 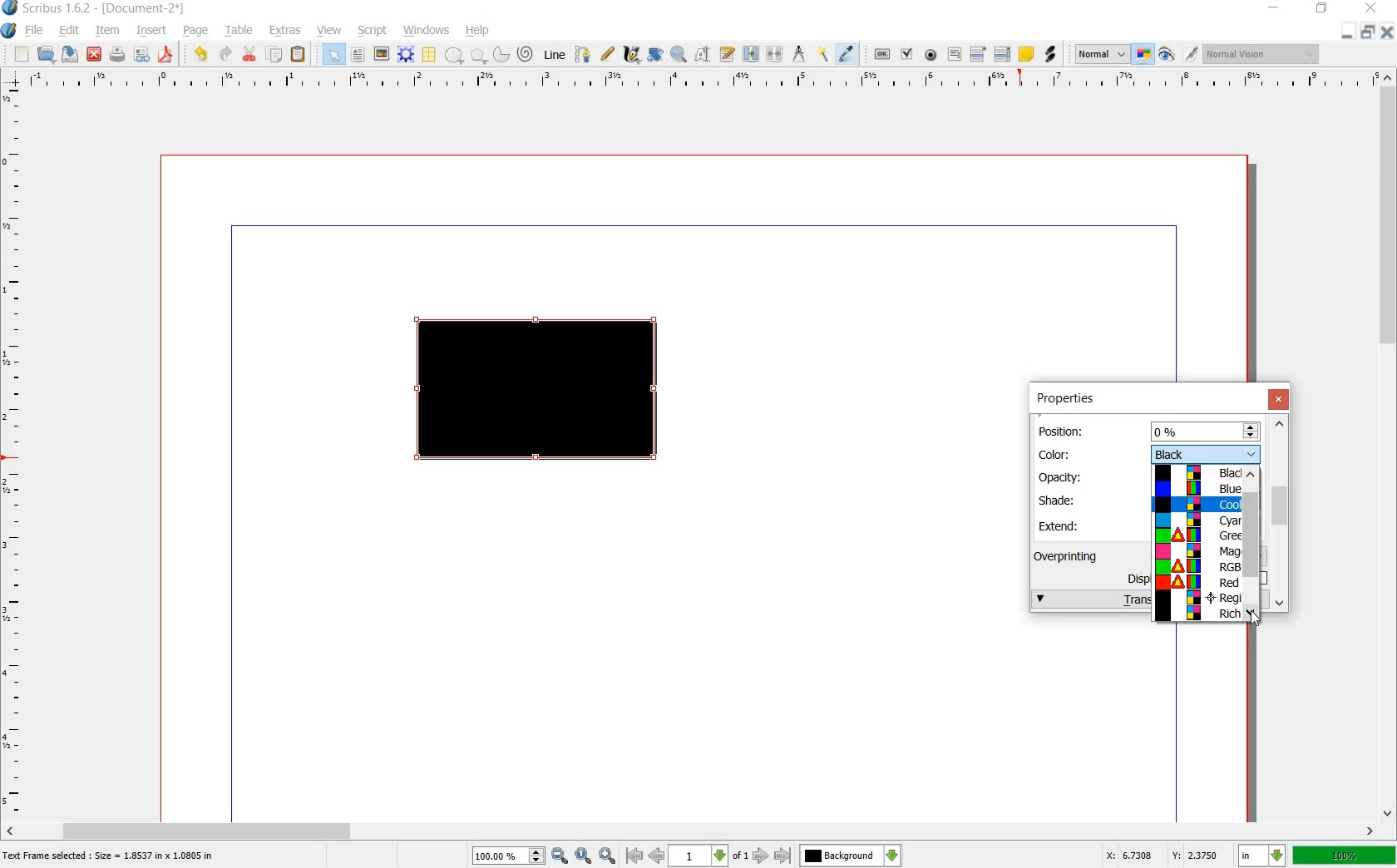 What do you see at coordinates (111, 857) in the screenshot?
I see `text frame selected : size = 1.8537 in x 1.0805 in` at bounding box center [111, 857].